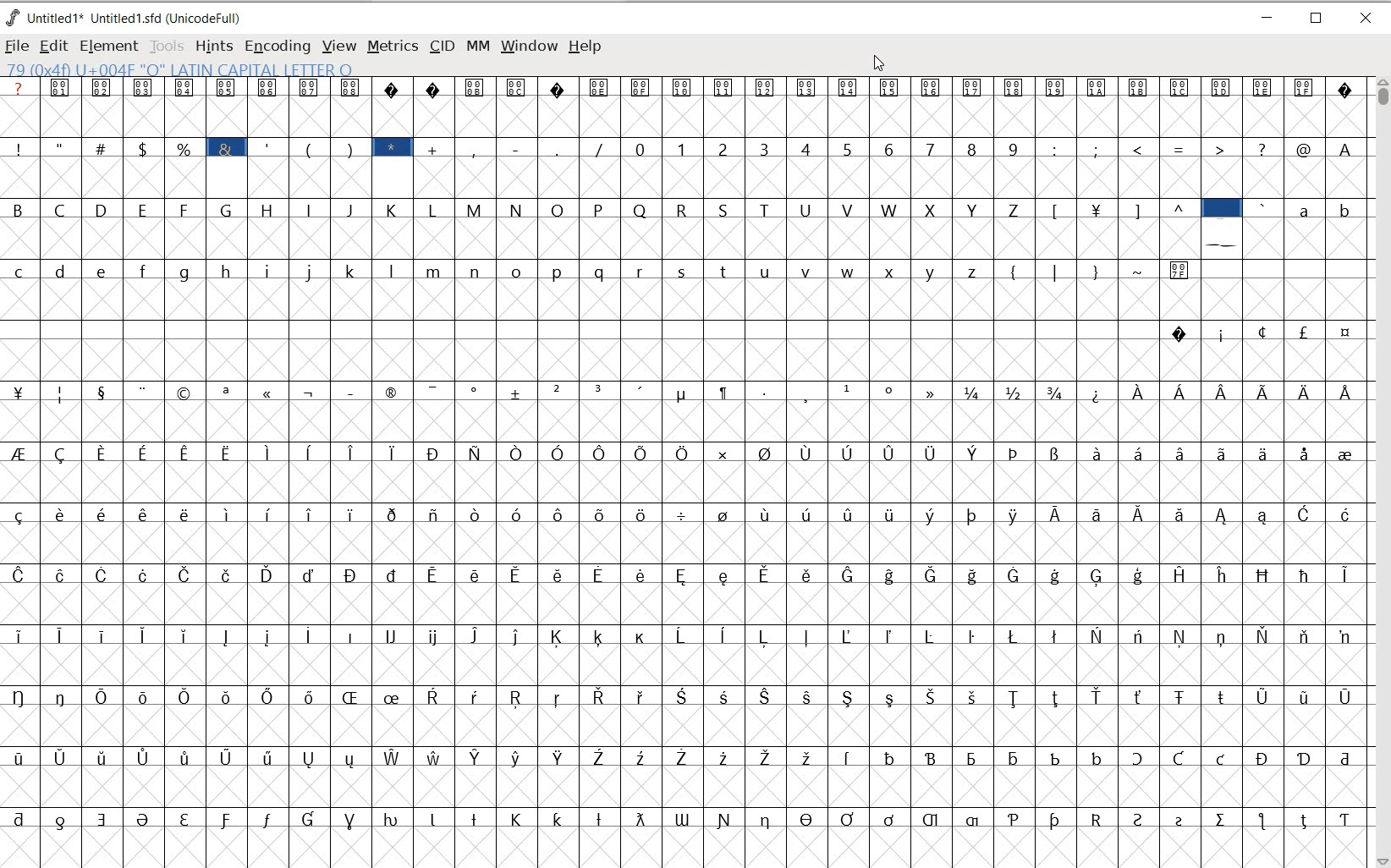  I want to click on ELEMENT, so click(109, 46).